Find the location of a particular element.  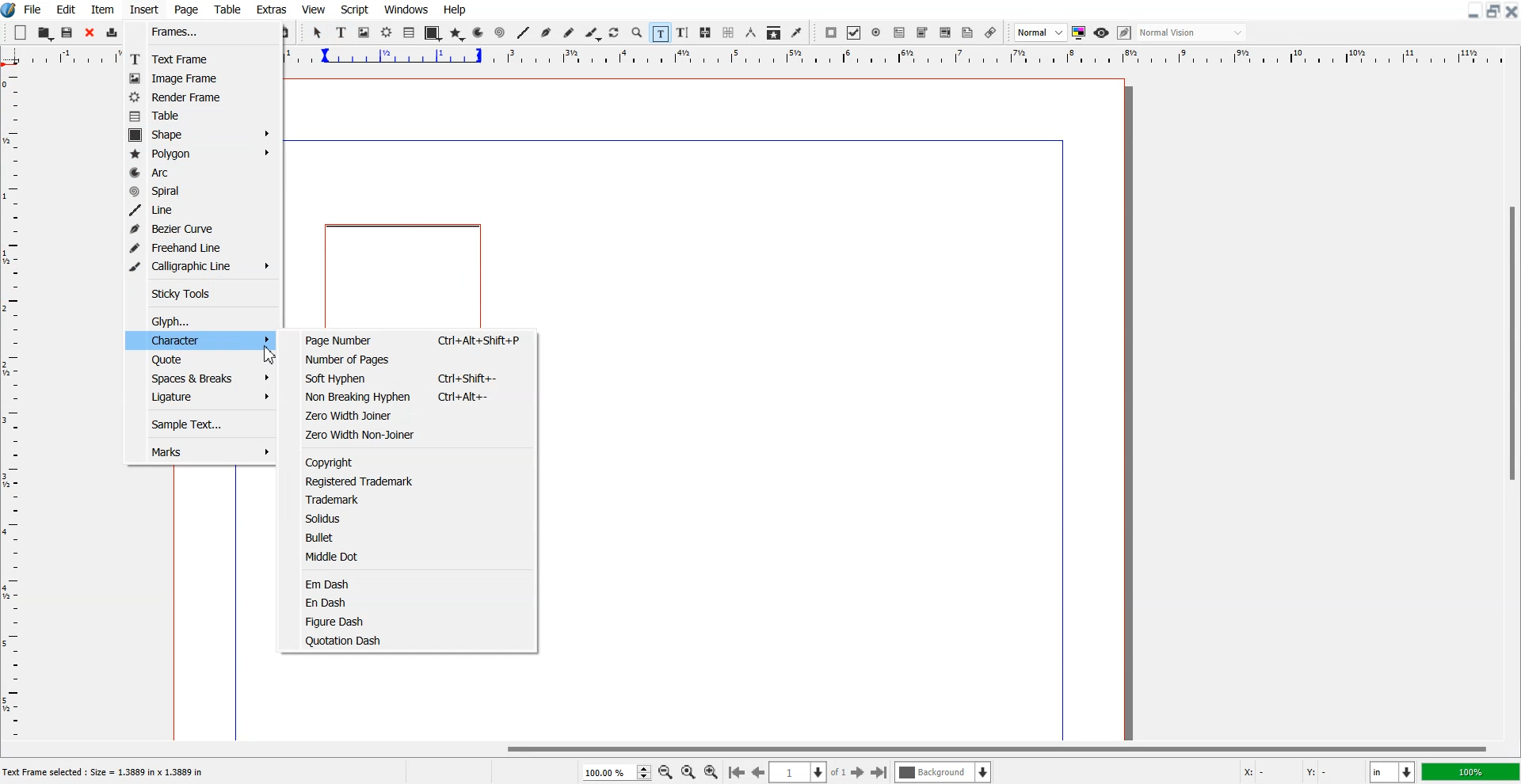

Text is located at coordinates (109, 773).